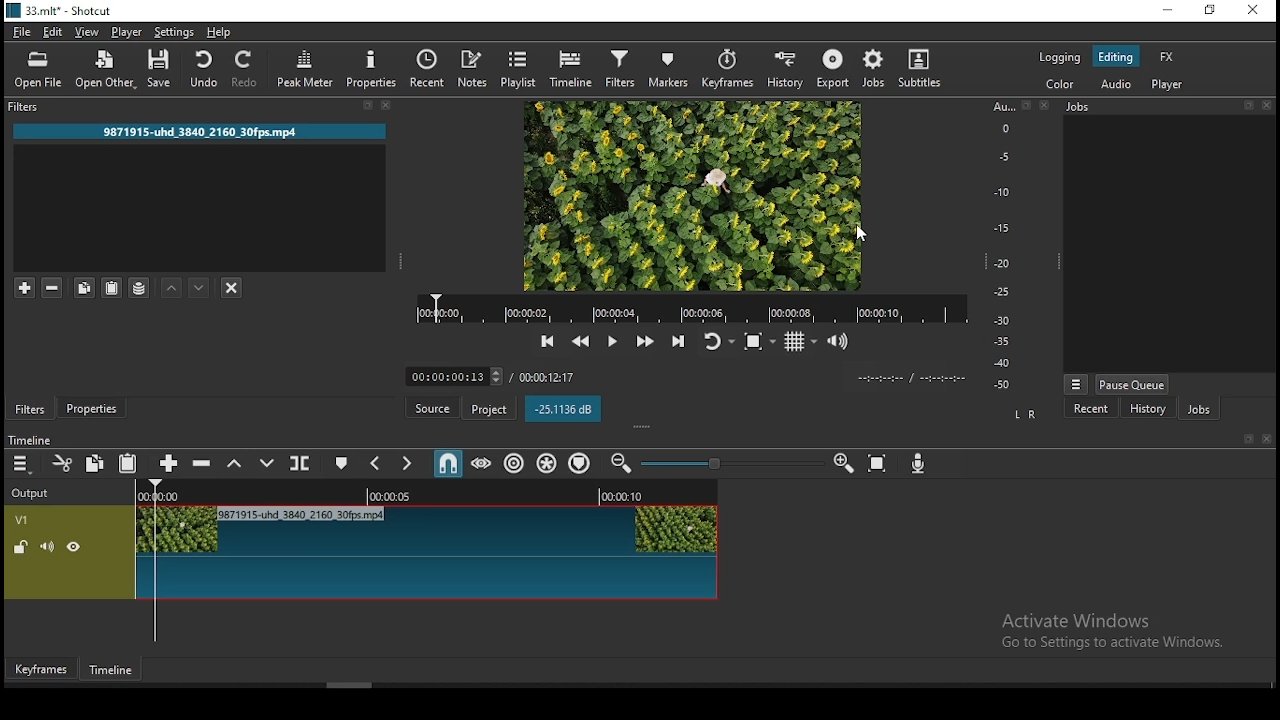 This screenshot has height=720, width=1280. Describe the element at coordinates (424, 554) in the screenshot. I see `video track` at that location.